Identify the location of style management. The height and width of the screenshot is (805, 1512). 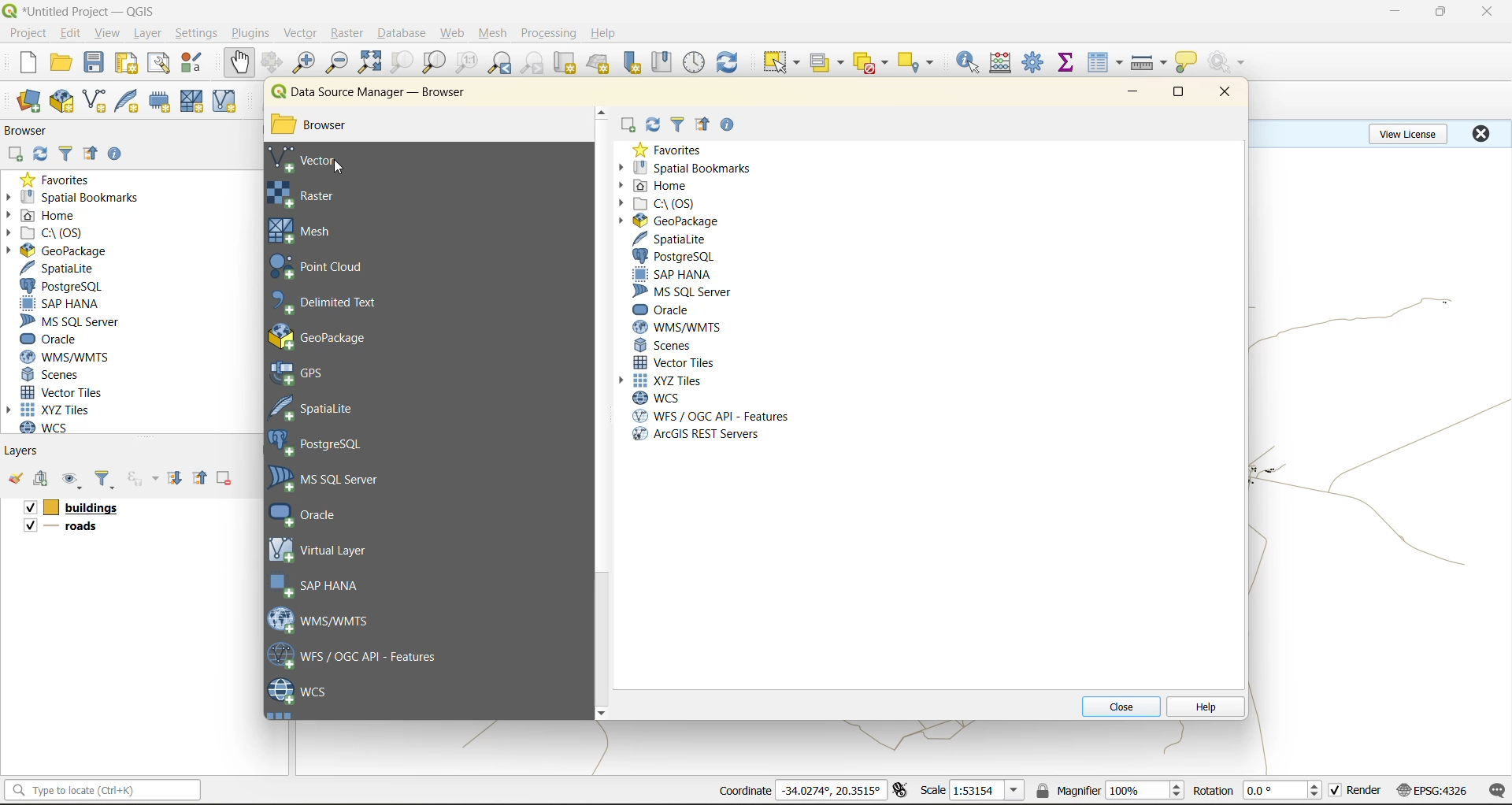
(196, 62).